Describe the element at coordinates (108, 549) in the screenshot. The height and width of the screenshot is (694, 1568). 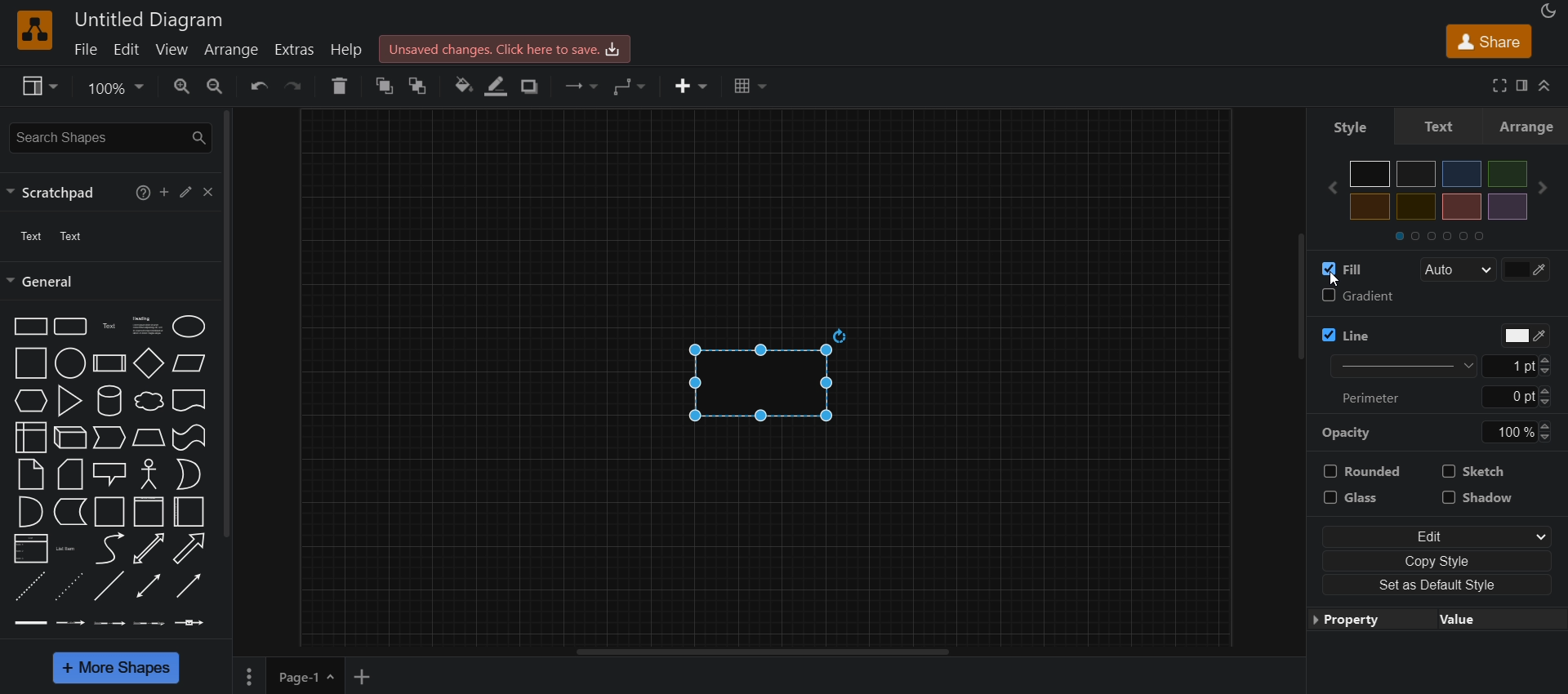
I see `curve` at that location.